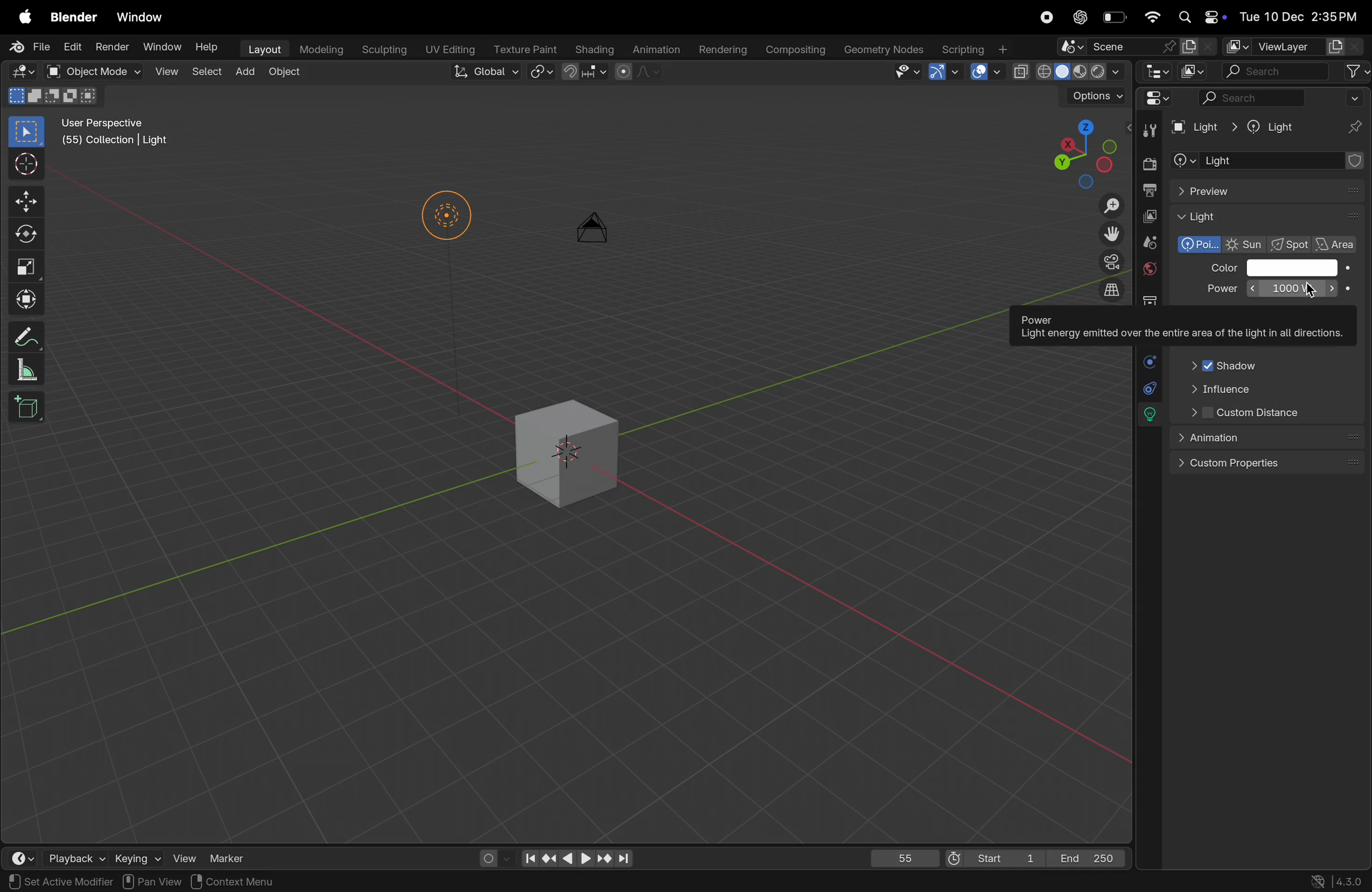  What do you see at coordinates (55, 97) in the screenshot?
I see `modes` at bounding box center [55, 97].